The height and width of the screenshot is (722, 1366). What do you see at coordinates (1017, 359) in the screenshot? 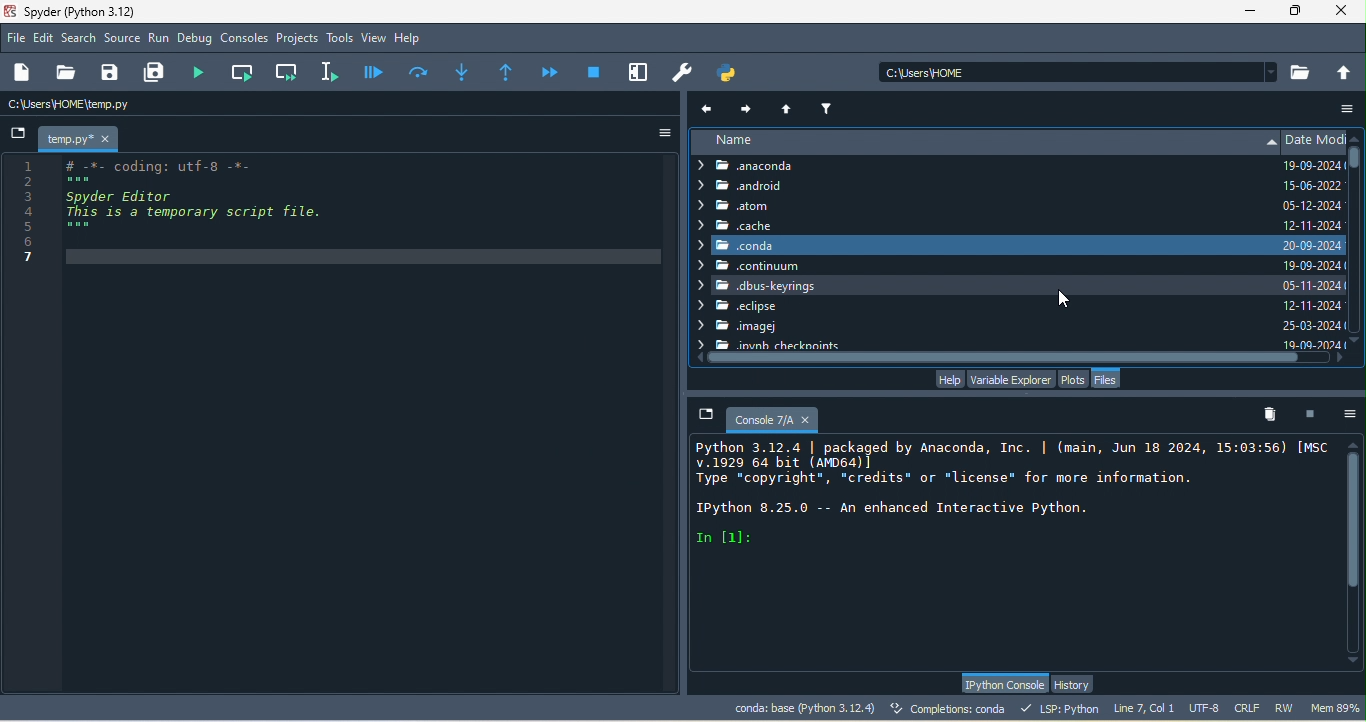
I see `horizontal scroll bar` at bounding box center [1017, 359].